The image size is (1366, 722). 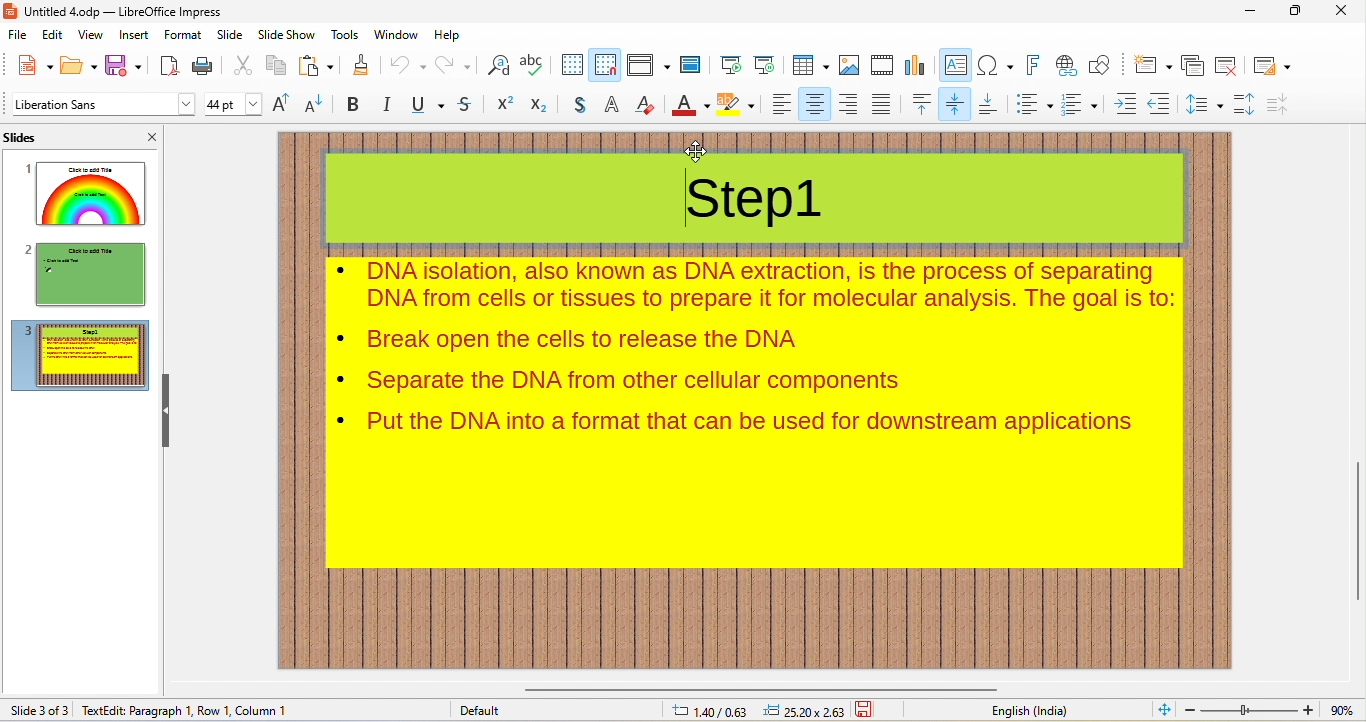 I want to click on slide2, so click(x=79, y=273).